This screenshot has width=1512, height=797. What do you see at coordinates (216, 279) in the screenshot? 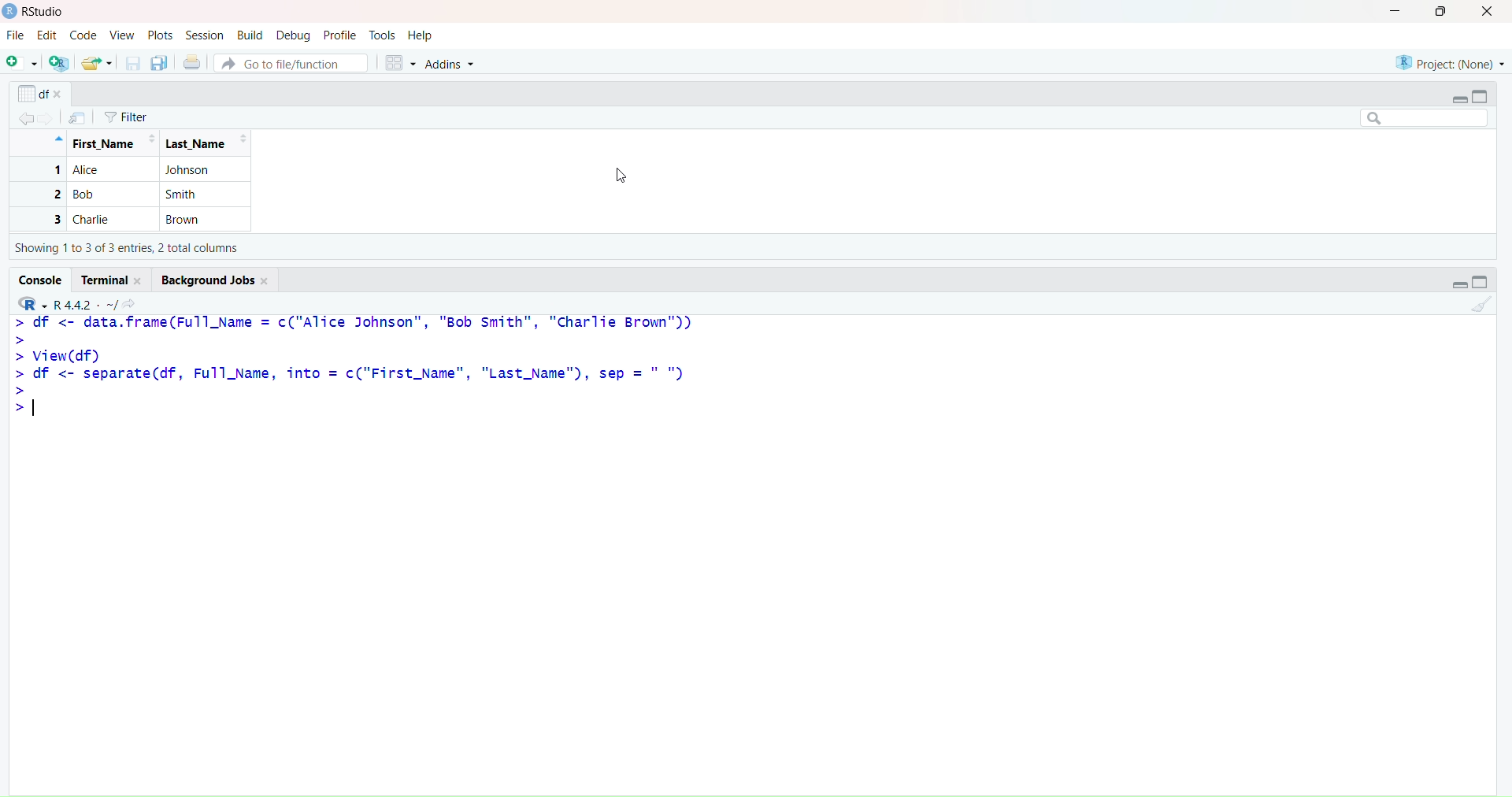
I see `Background Jobs` at bounding box center [216, 279].